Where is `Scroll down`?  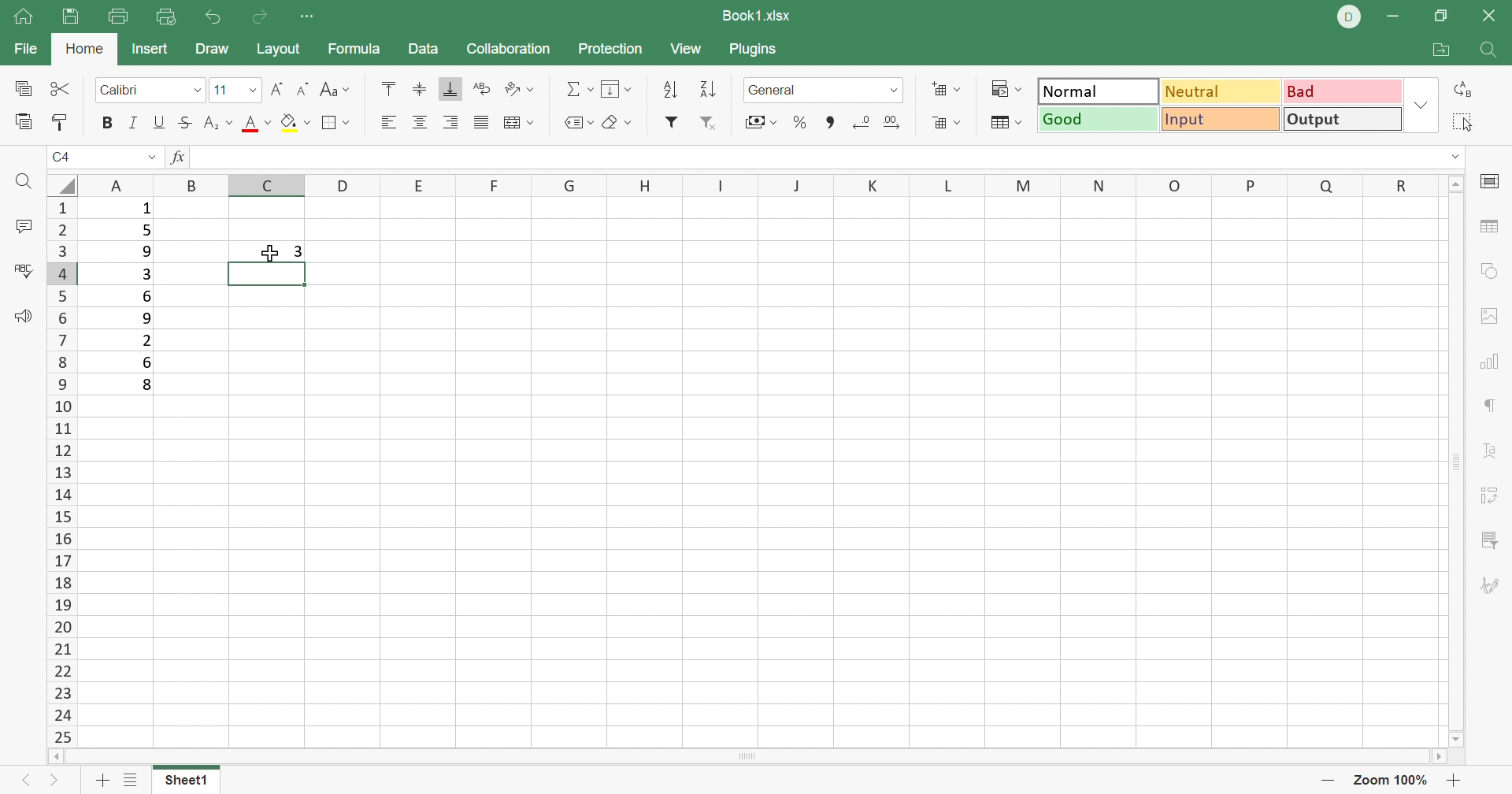 Scroll down is located at coordinates (1456, 739).